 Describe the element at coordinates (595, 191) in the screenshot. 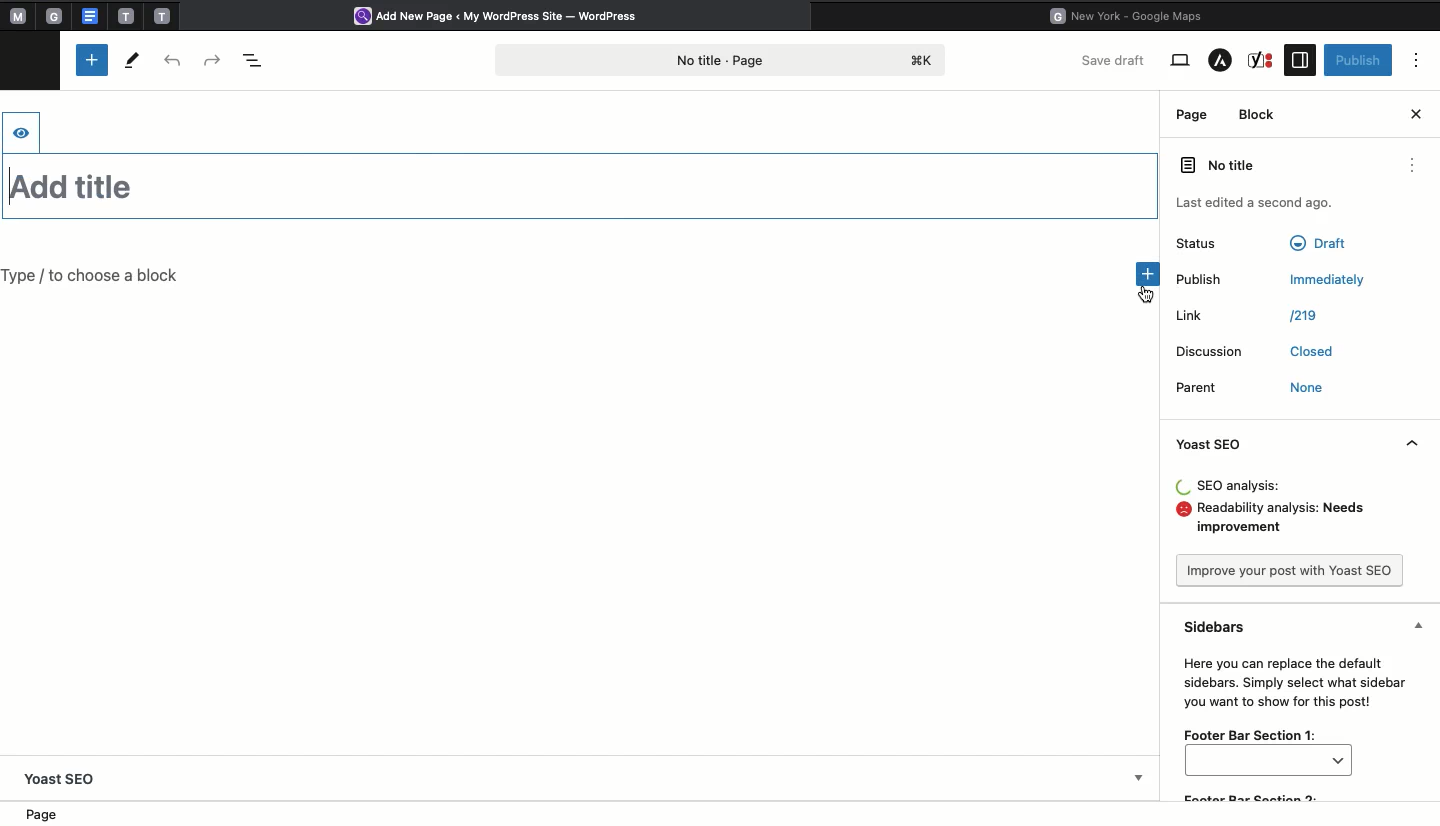

I see `Title` at that location.